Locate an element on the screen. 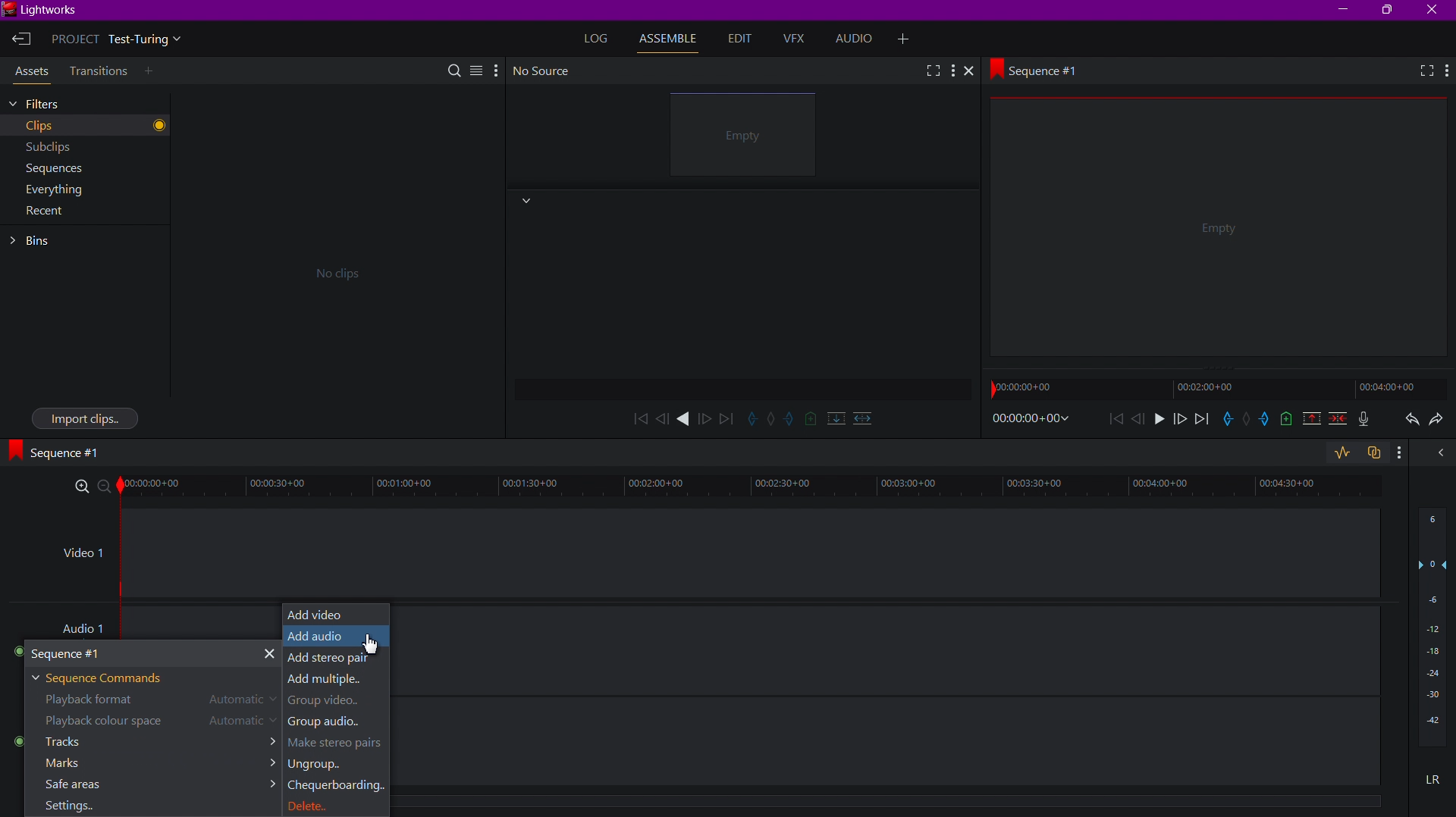 The width and height of the screenshot is (1456, 817). Search is located at coordinates (456, 69).